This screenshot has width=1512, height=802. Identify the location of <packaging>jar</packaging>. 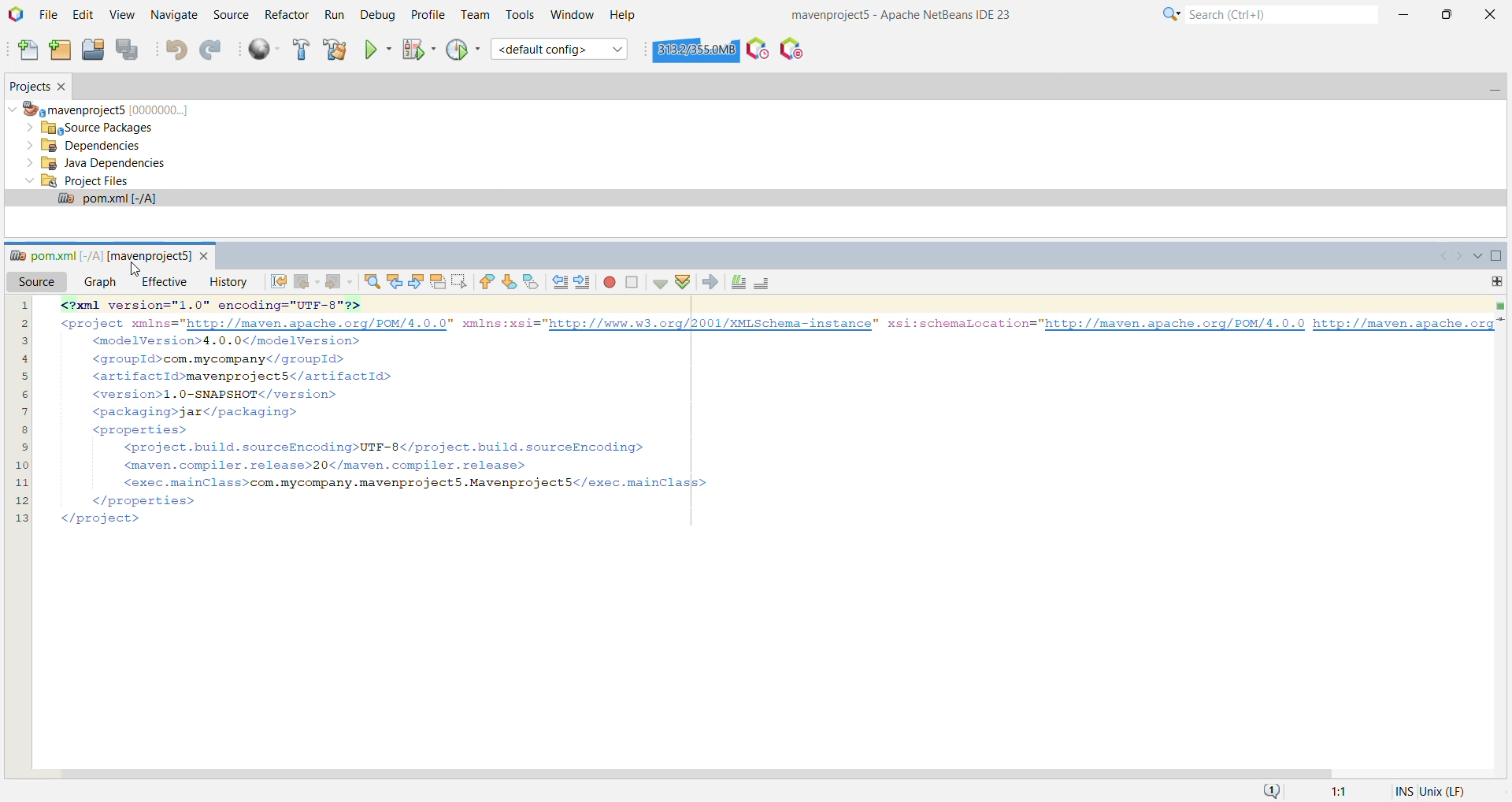
(202, 414).